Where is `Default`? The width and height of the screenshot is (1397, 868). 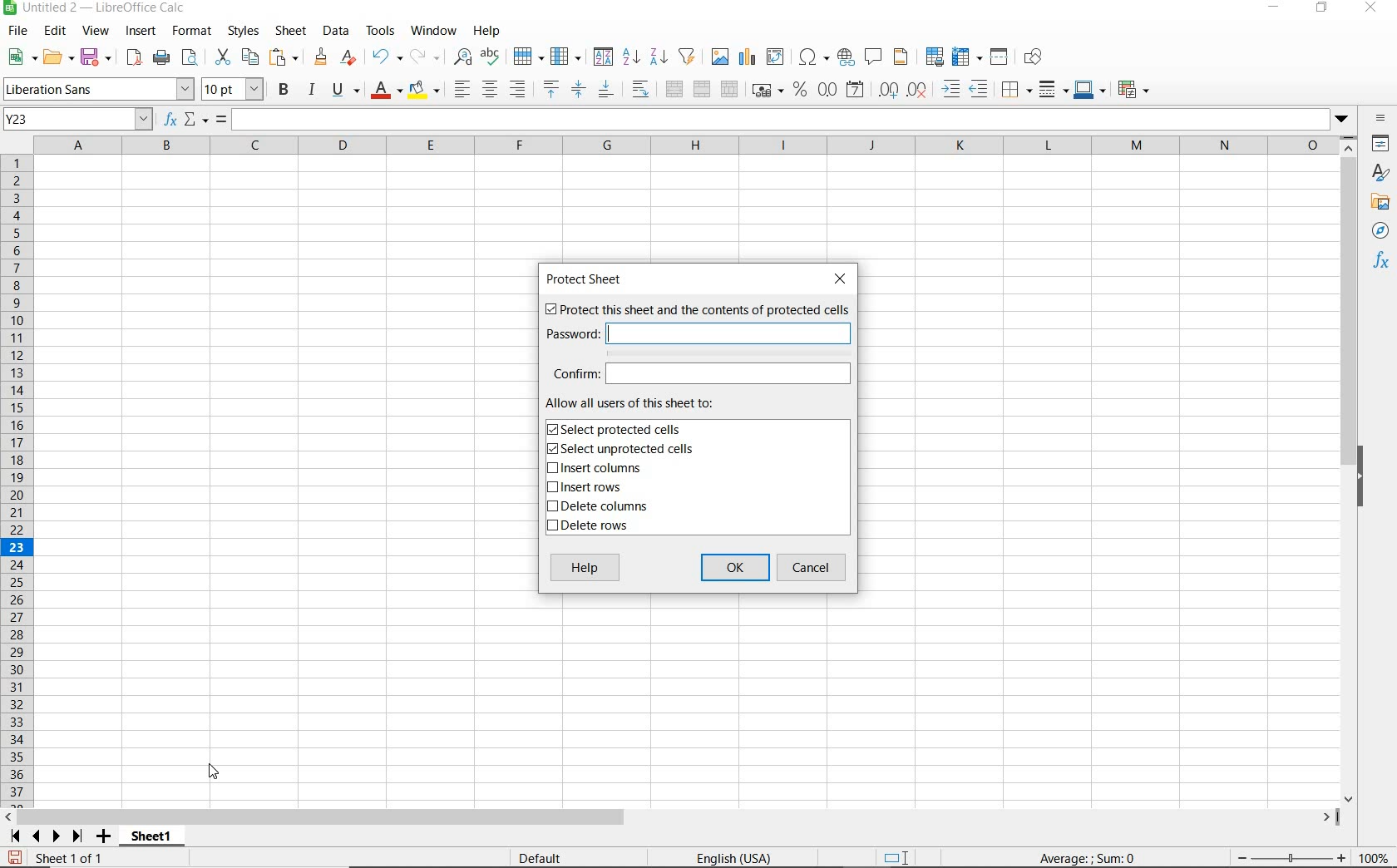
Default is located at coordinates (550, 855).